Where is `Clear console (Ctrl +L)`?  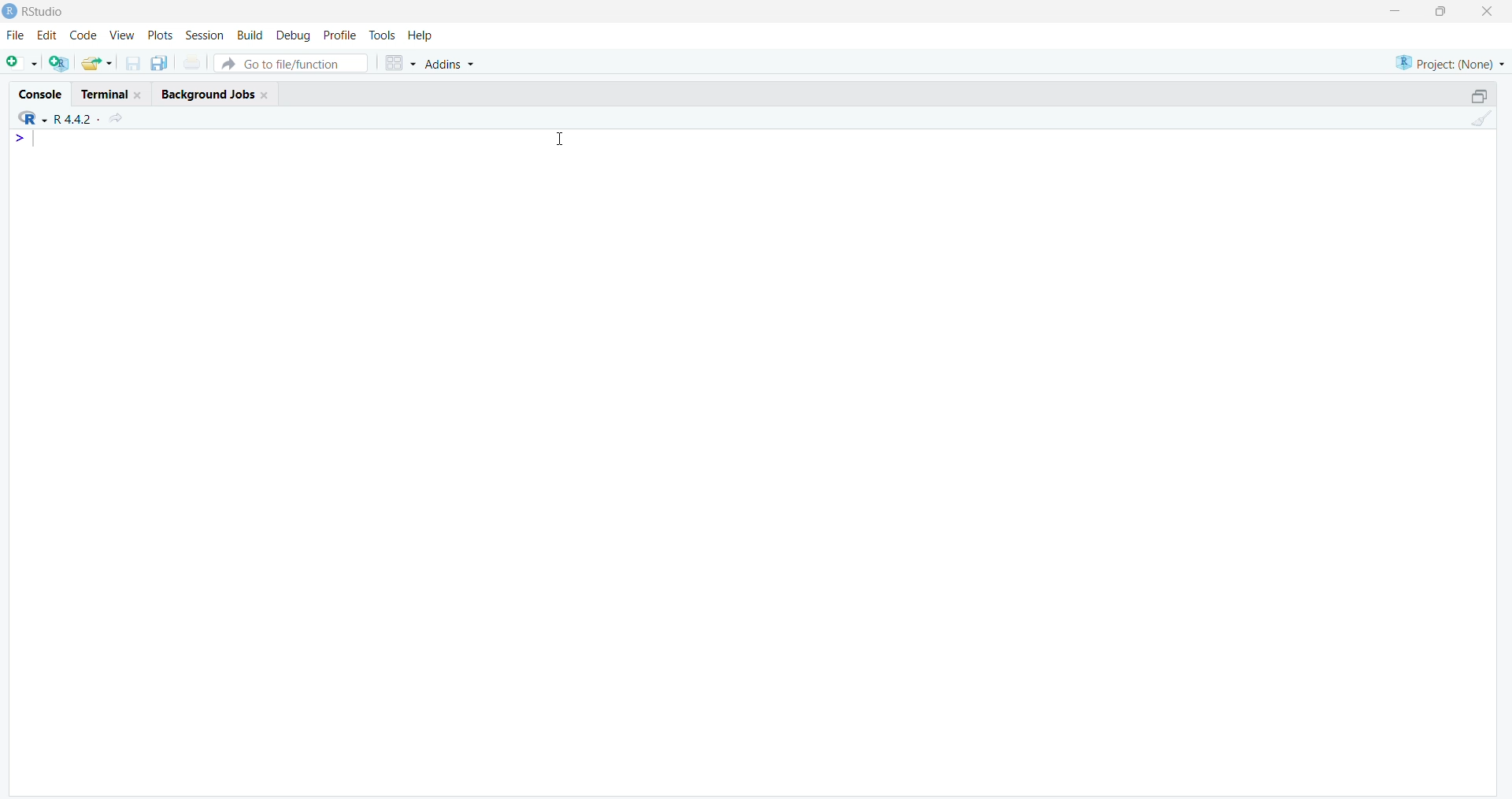
Clear console (Ctrl +L) is located at coordinates (1482, 122).